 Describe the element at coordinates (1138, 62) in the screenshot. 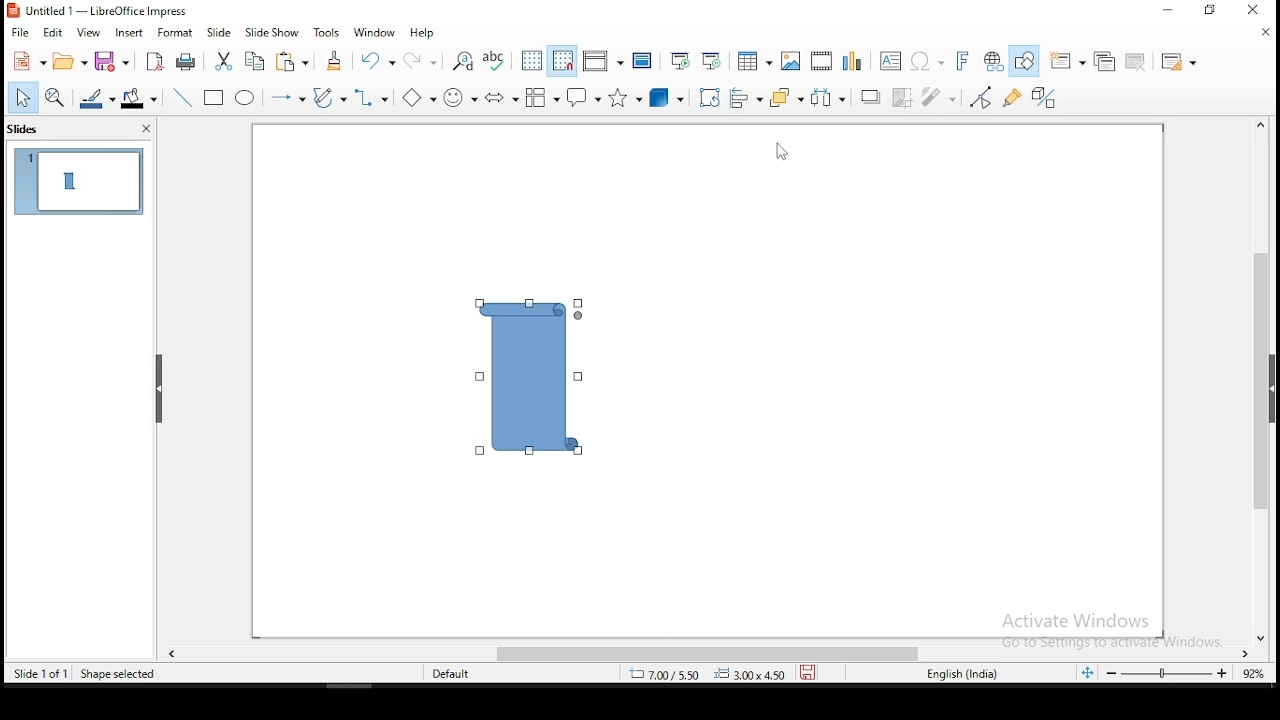

I see `delete slide` at that location.